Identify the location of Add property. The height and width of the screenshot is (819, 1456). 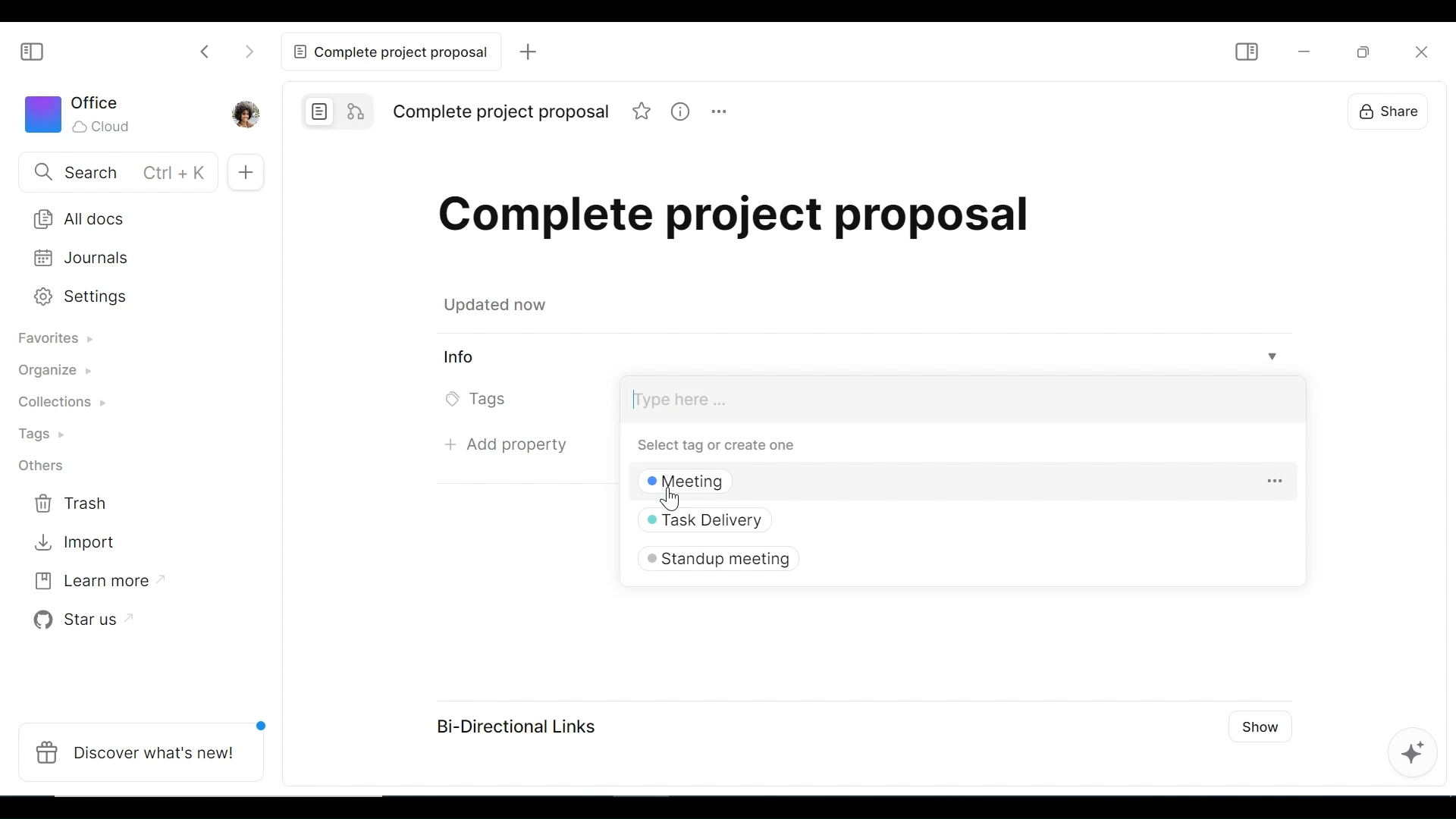
(502, 449).